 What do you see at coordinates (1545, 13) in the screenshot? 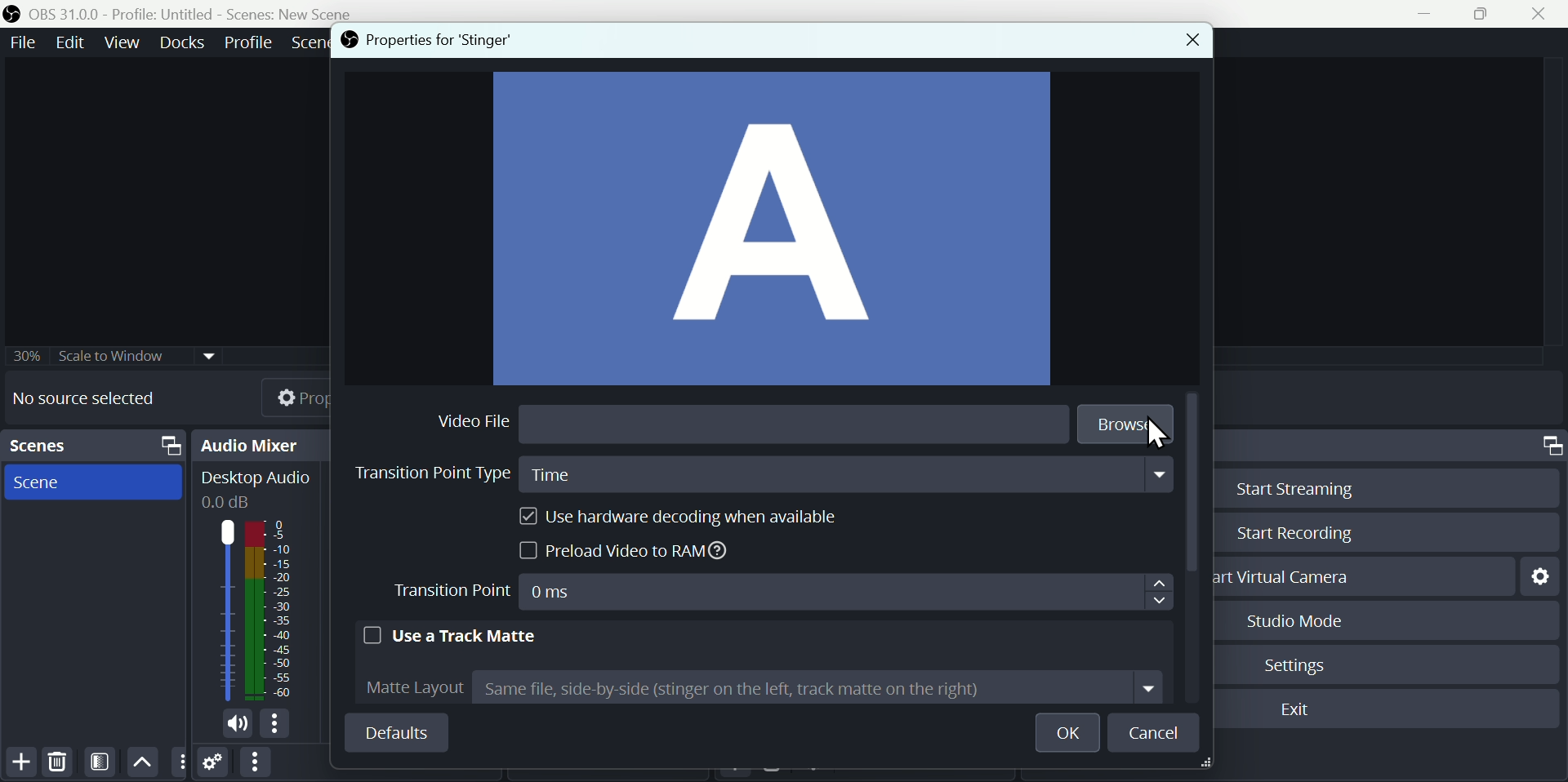
I see `Close` at bounding box center [1545, 13].